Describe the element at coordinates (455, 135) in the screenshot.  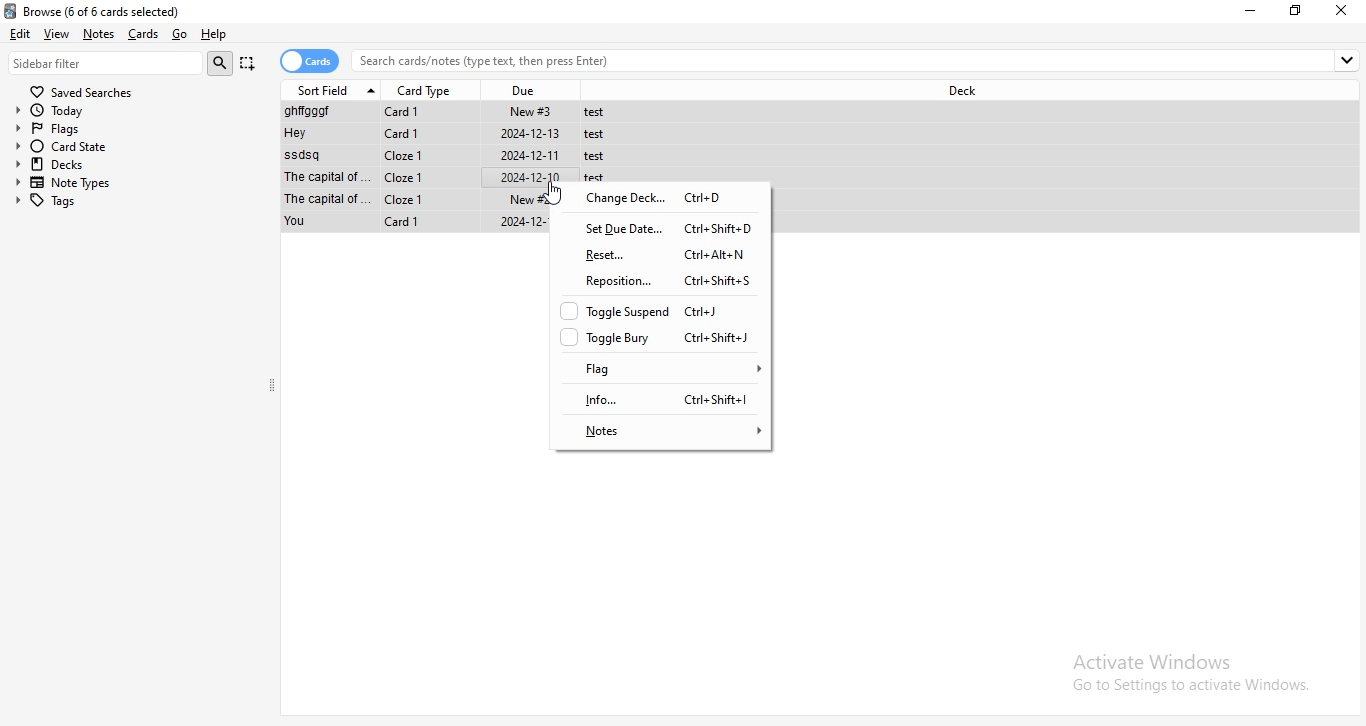
I see `File` at that location.